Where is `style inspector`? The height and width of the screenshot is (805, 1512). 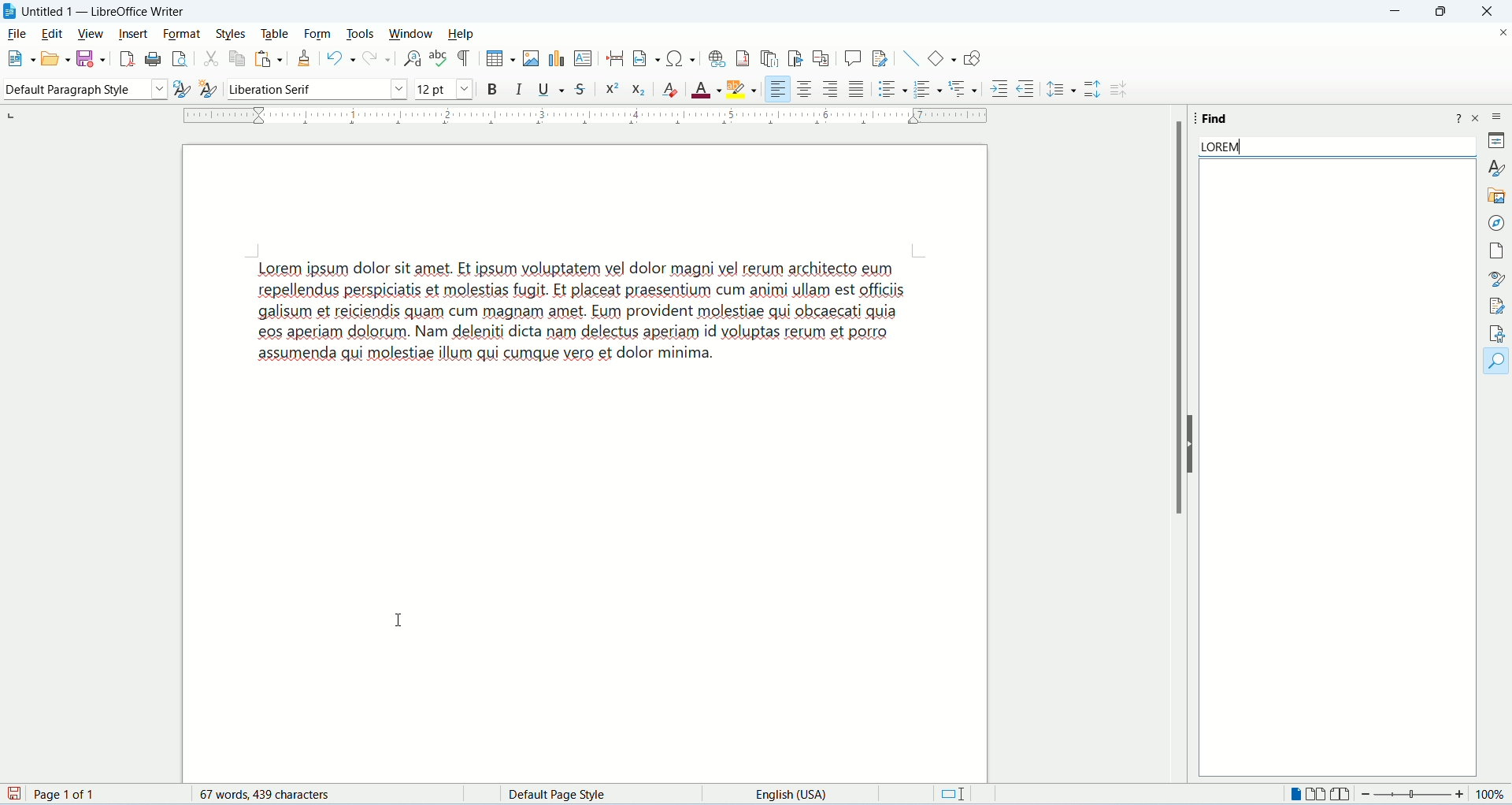
style inspector is located at coordinates (1499, 279).